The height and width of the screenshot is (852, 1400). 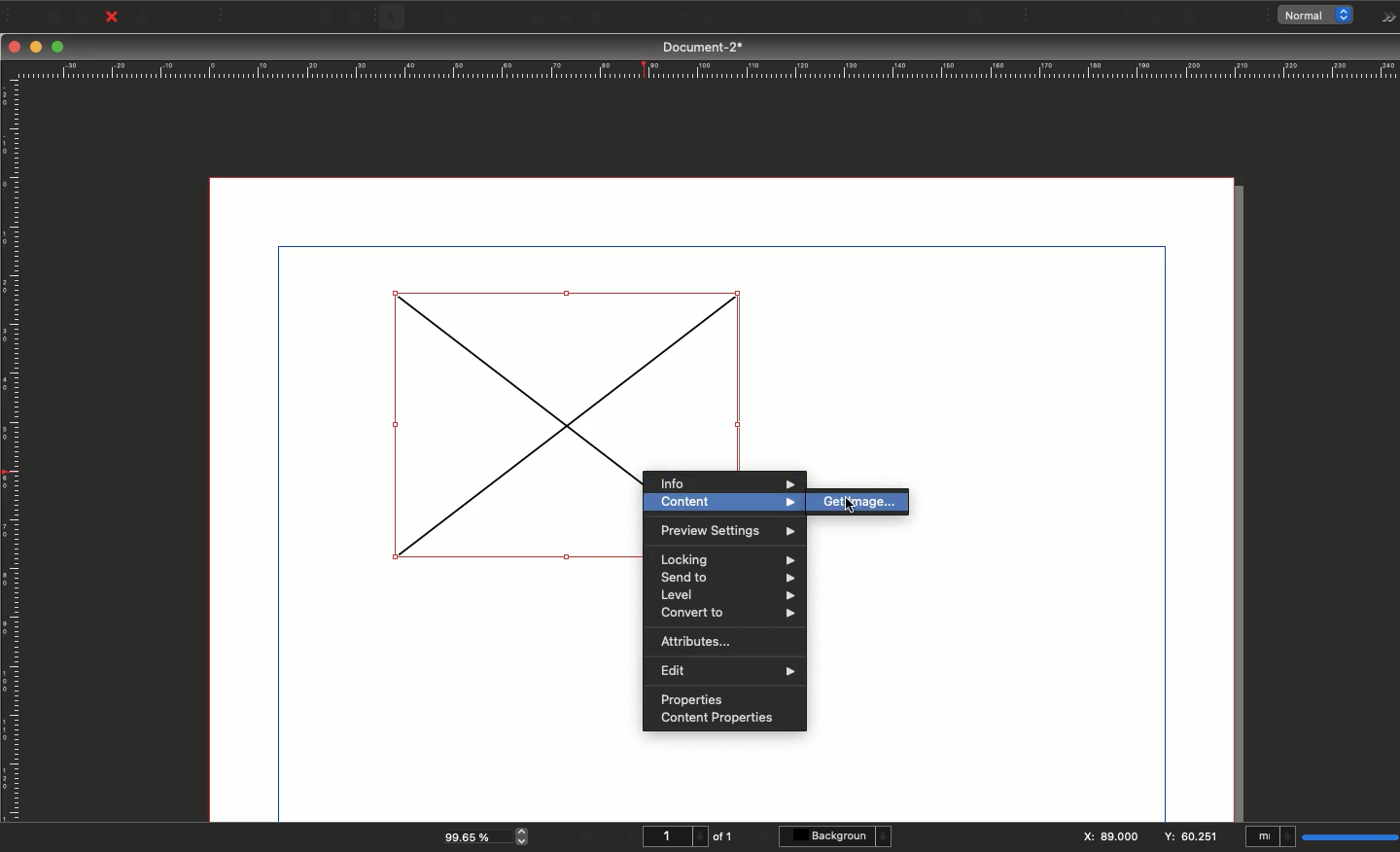 What do you see at coordinates (595, 18) in the screenshot?
I see `Arc` at bounding box center [595, 18].